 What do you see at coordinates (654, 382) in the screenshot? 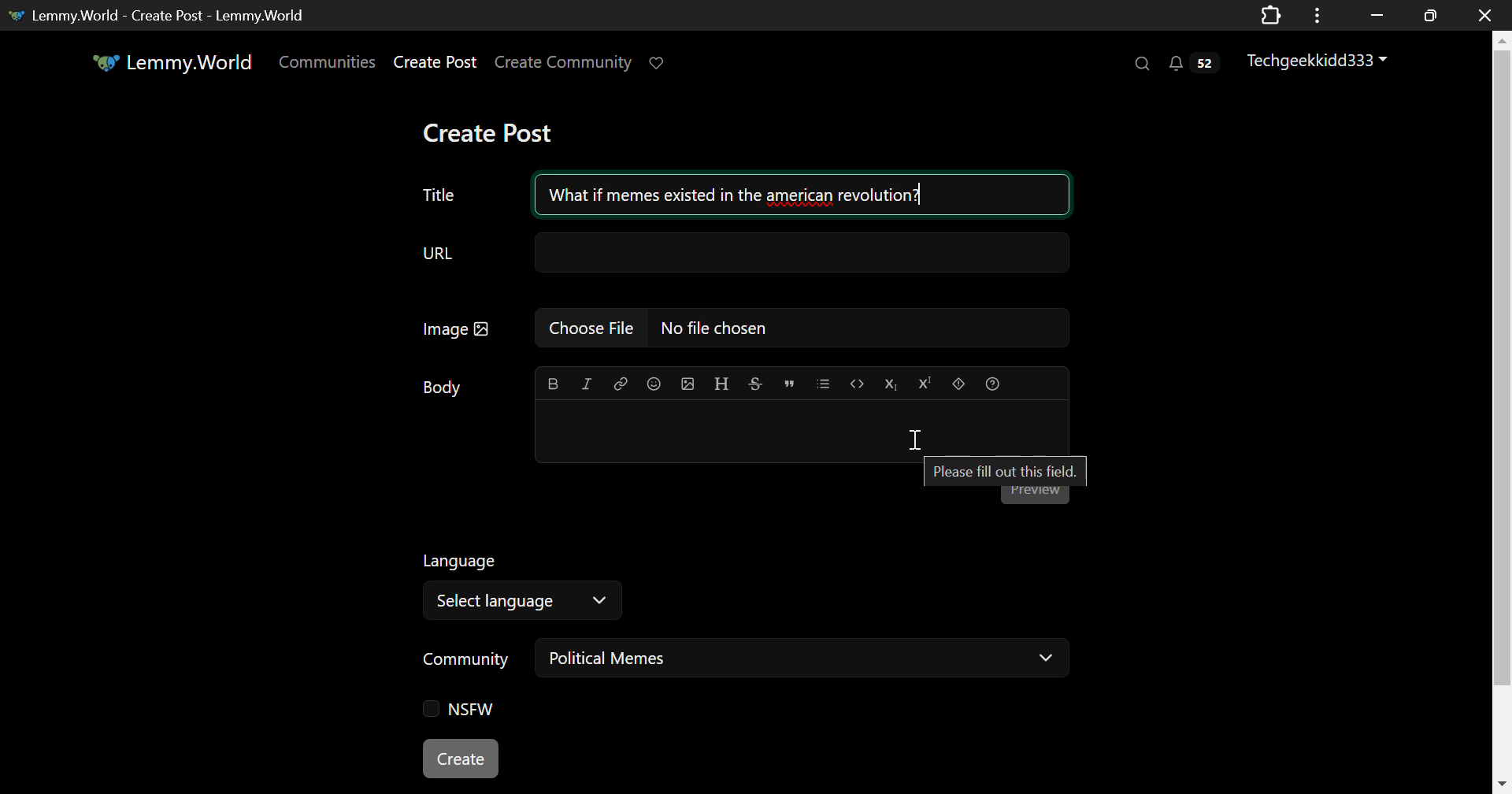
I see `Insert Emoji` at bounding box center [654, 382].